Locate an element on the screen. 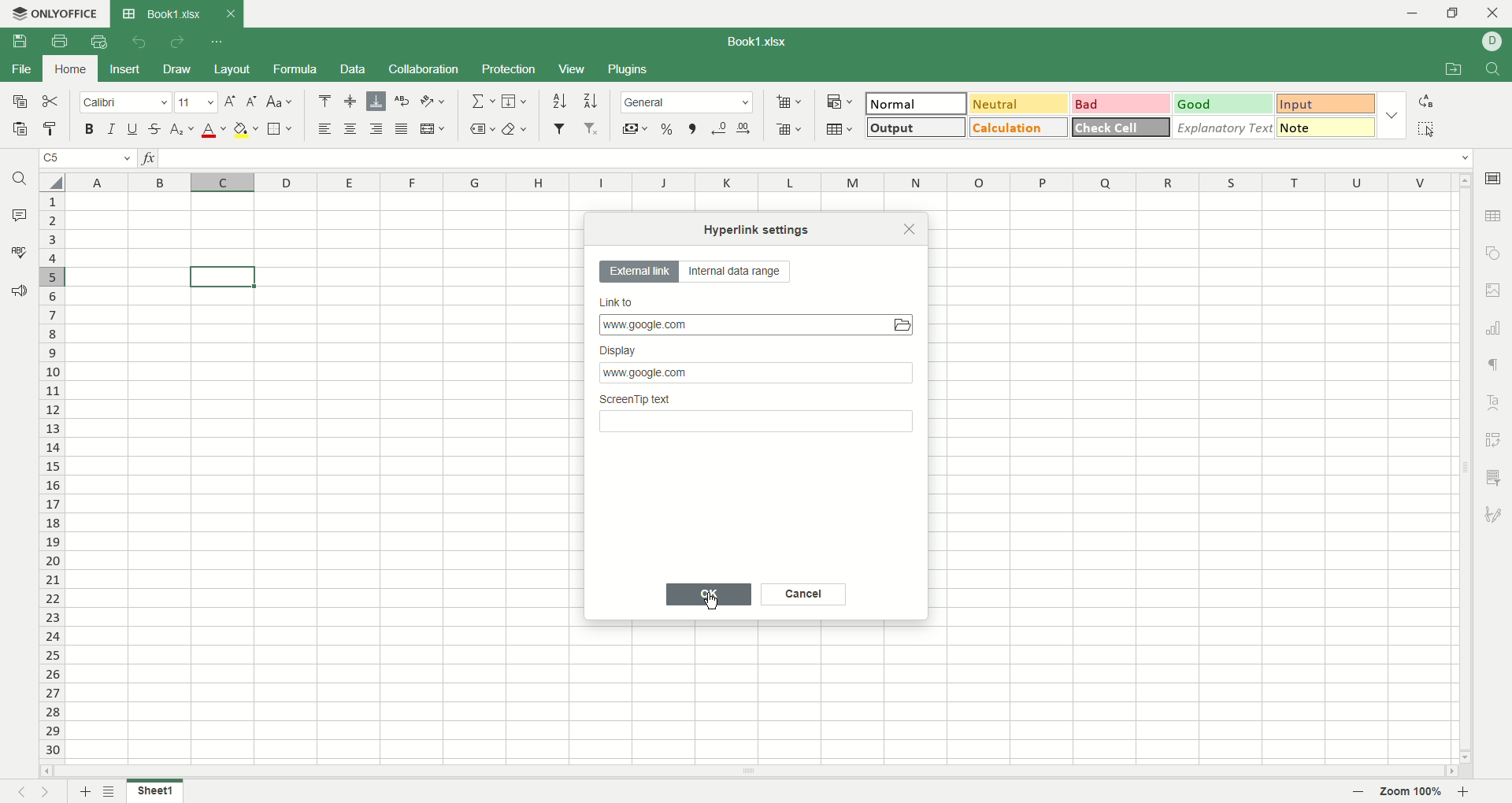 The width and height of the screenshot is (1512, 803). increase font size is located at coordinates (229, 104).